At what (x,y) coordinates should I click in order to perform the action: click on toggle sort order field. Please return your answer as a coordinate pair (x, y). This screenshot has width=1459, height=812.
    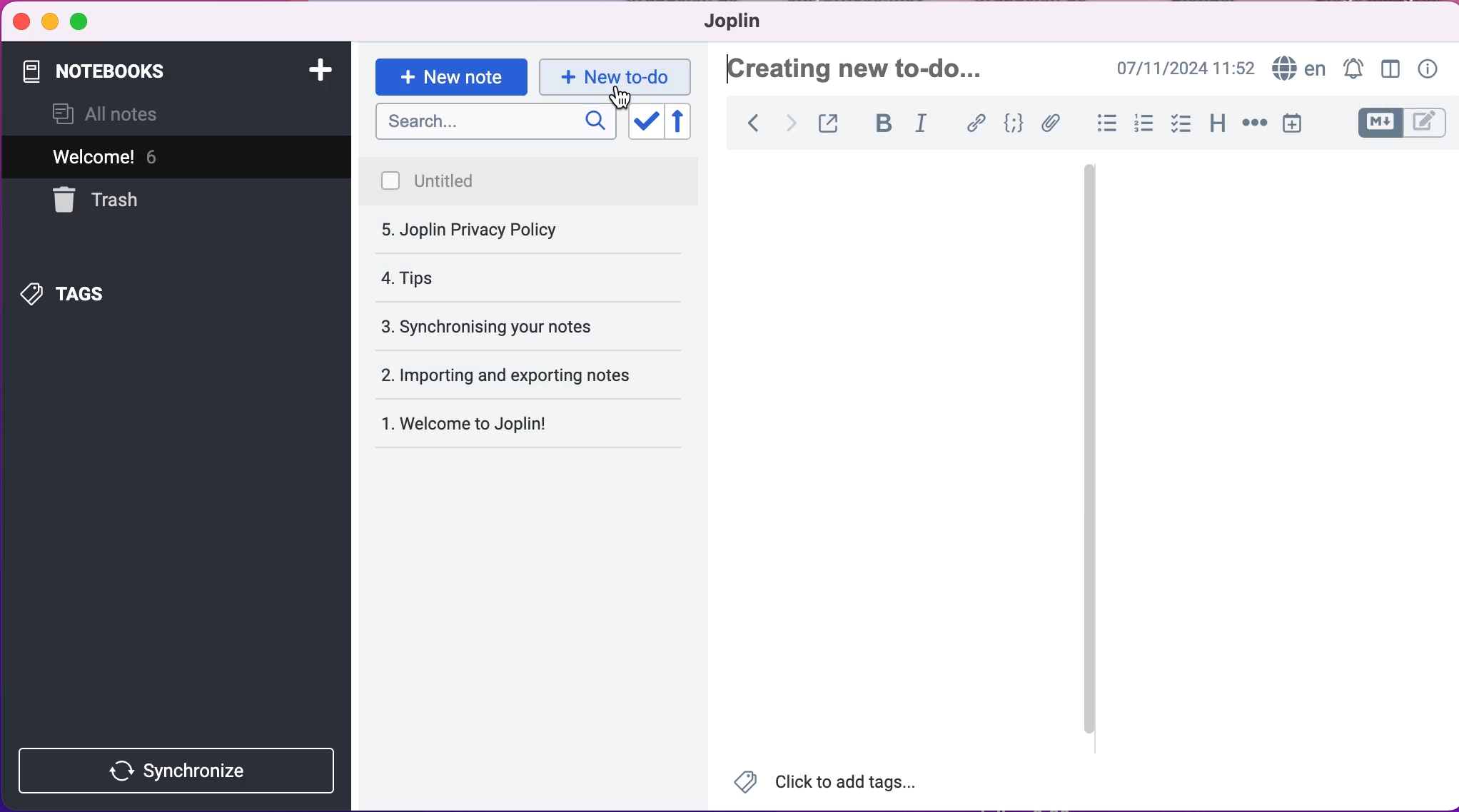
    Looking at the image, I should click on (644, 122).